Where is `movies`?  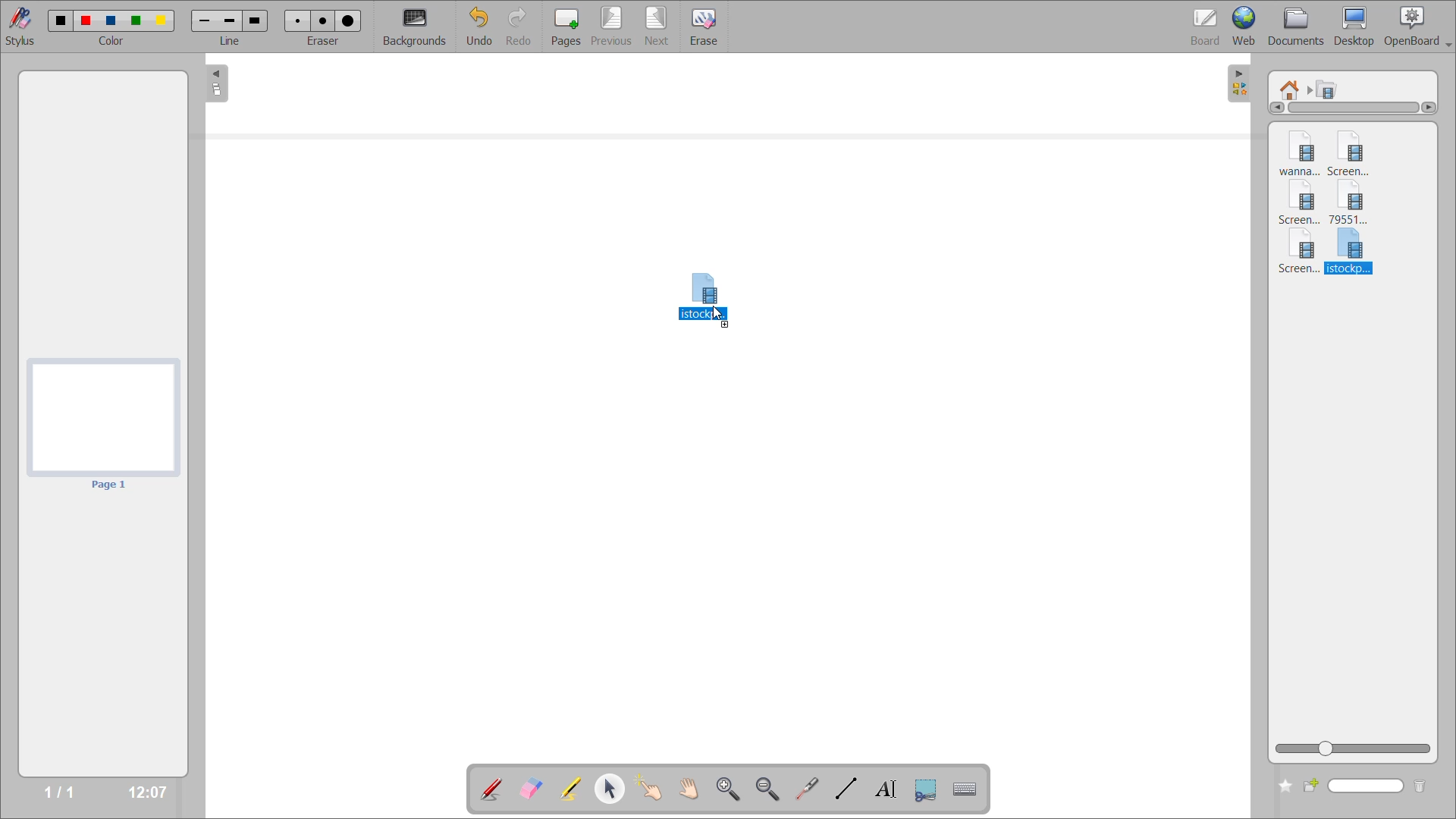 movies is located at coordinates (1333, 91).